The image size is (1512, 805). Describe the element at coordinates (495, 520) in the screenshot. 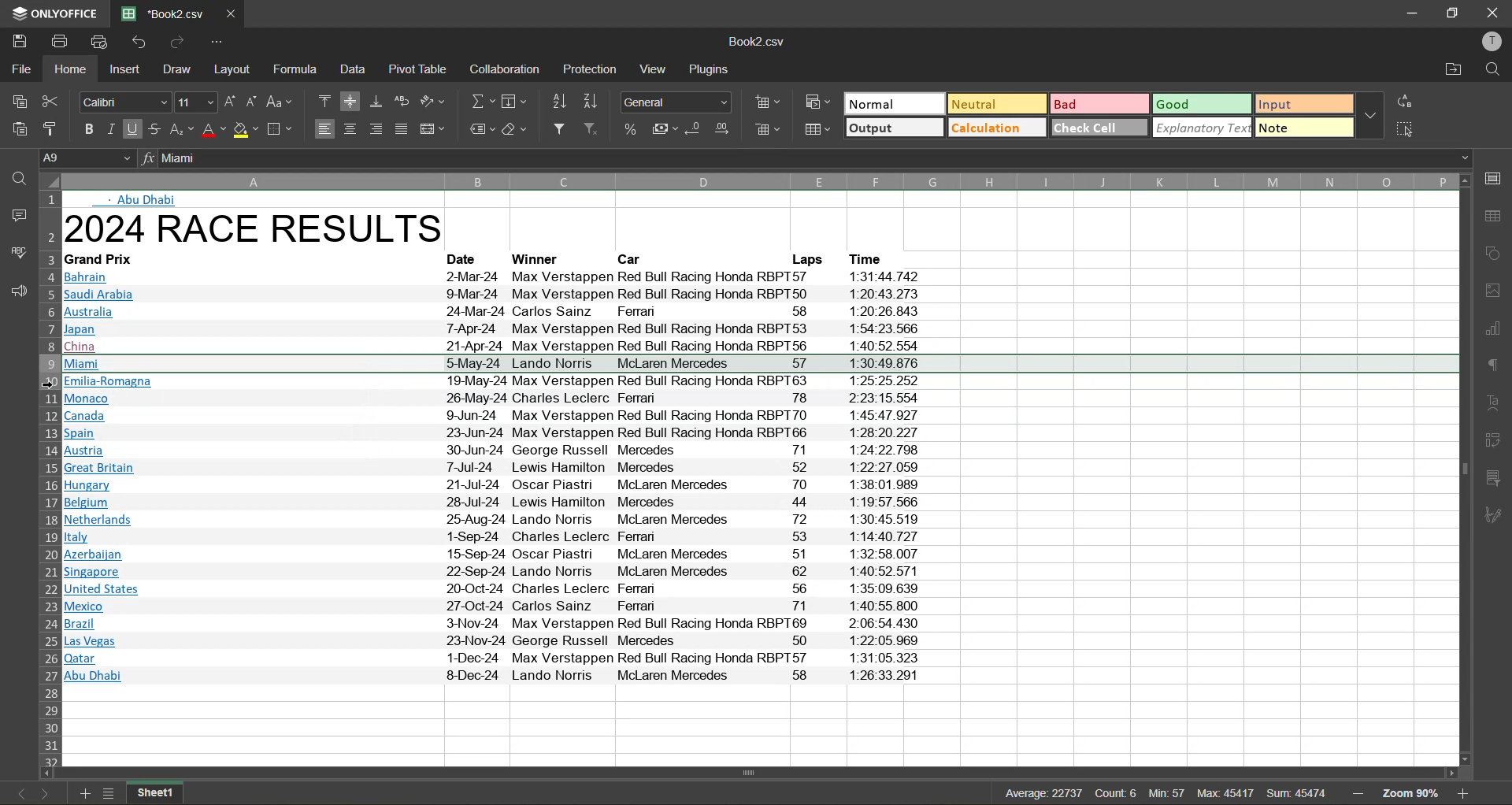

I see `INetherlands 25-Aug-24 Lando Norris McLaren Mercedes 72 1:30:45.519` at that location.